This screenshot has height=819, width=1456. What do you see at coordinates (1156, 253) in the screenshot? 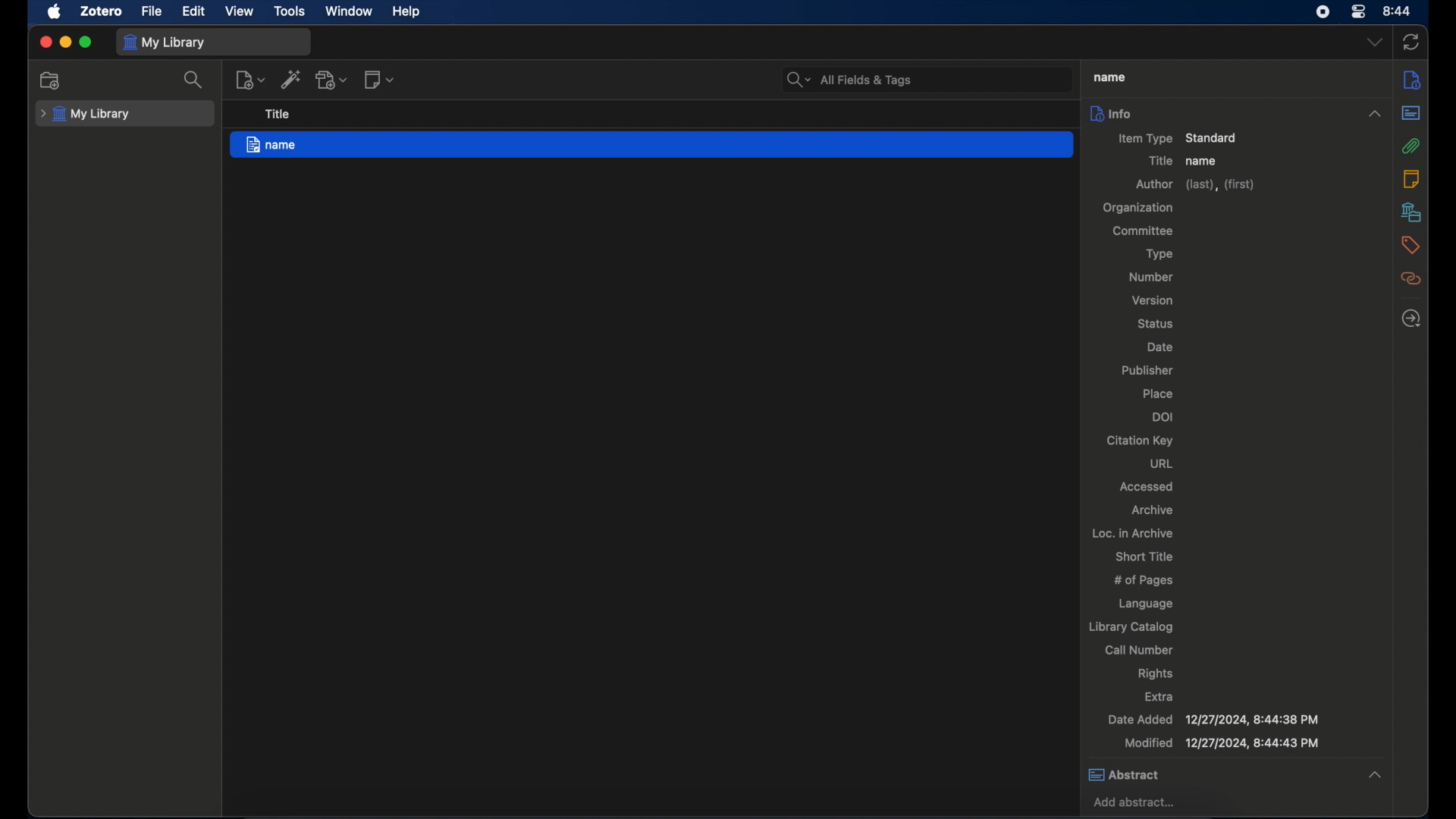
I see `type` at bounding box center [1156, 253].